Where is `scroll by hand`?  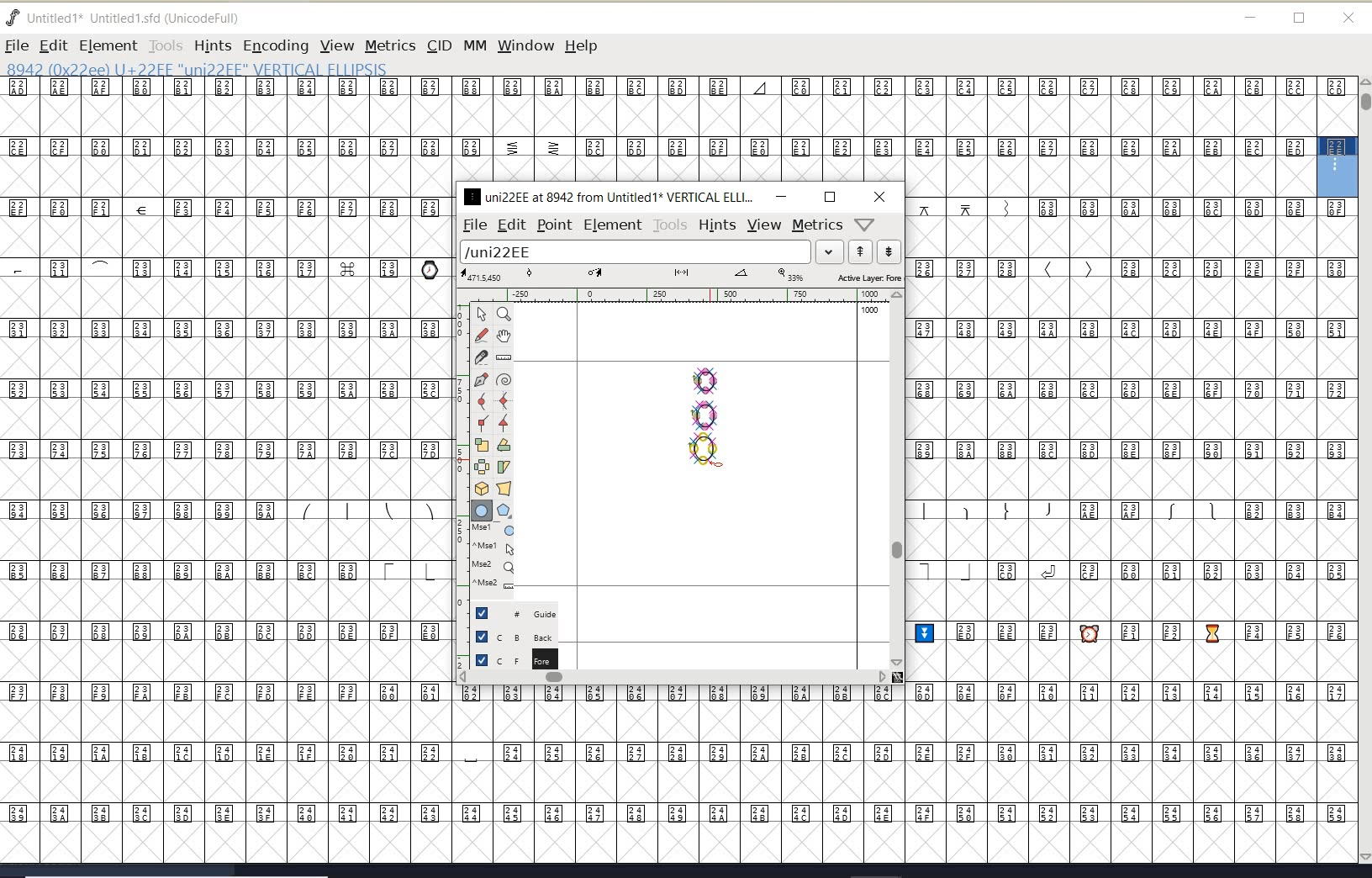 scroll by hand is located at coordinates (504, 337).